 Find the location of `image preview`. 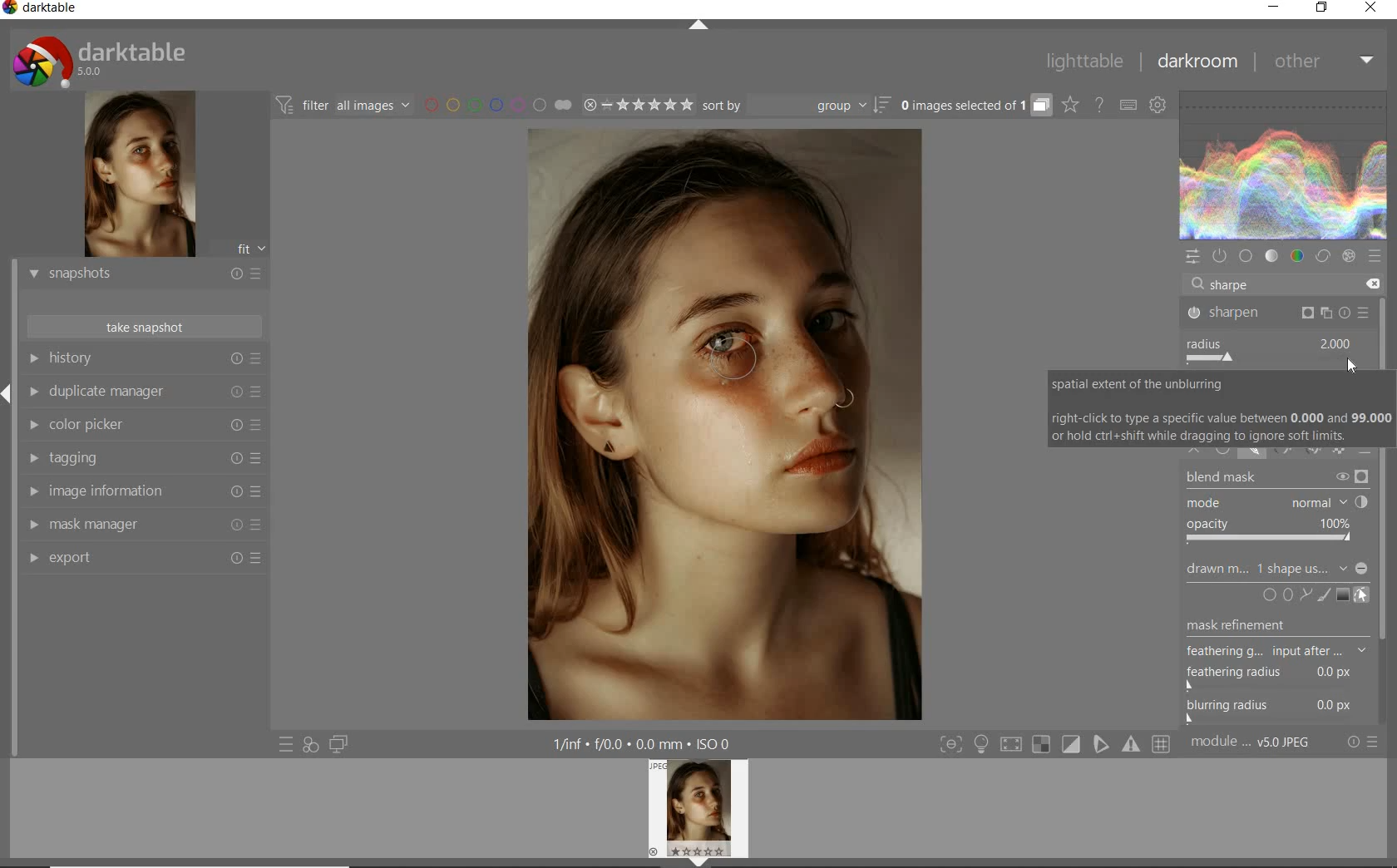

image preview is located at coordinates (137, 176).